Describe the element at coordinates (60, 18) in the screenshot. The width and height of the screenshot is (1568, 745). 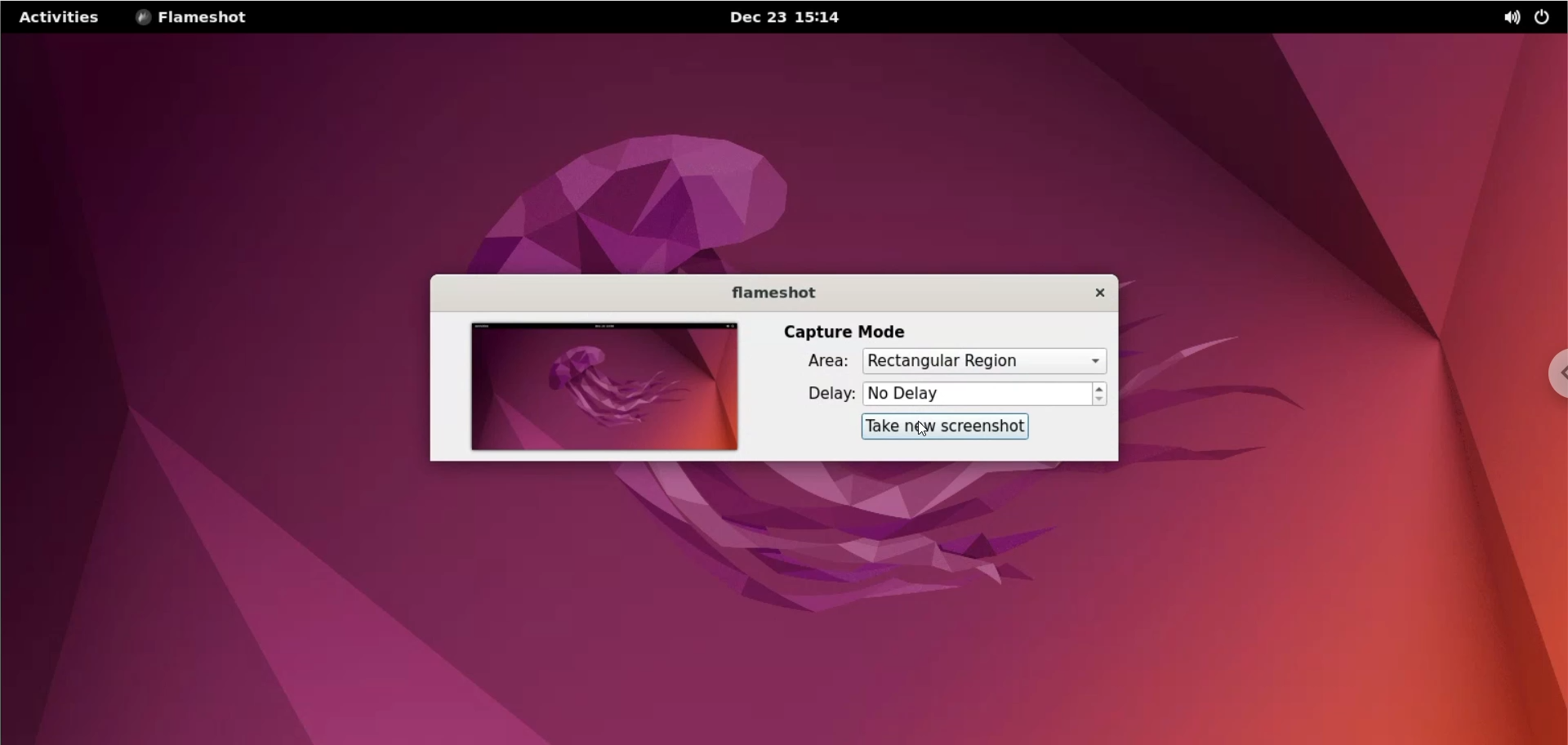
I see `activities` at that location.